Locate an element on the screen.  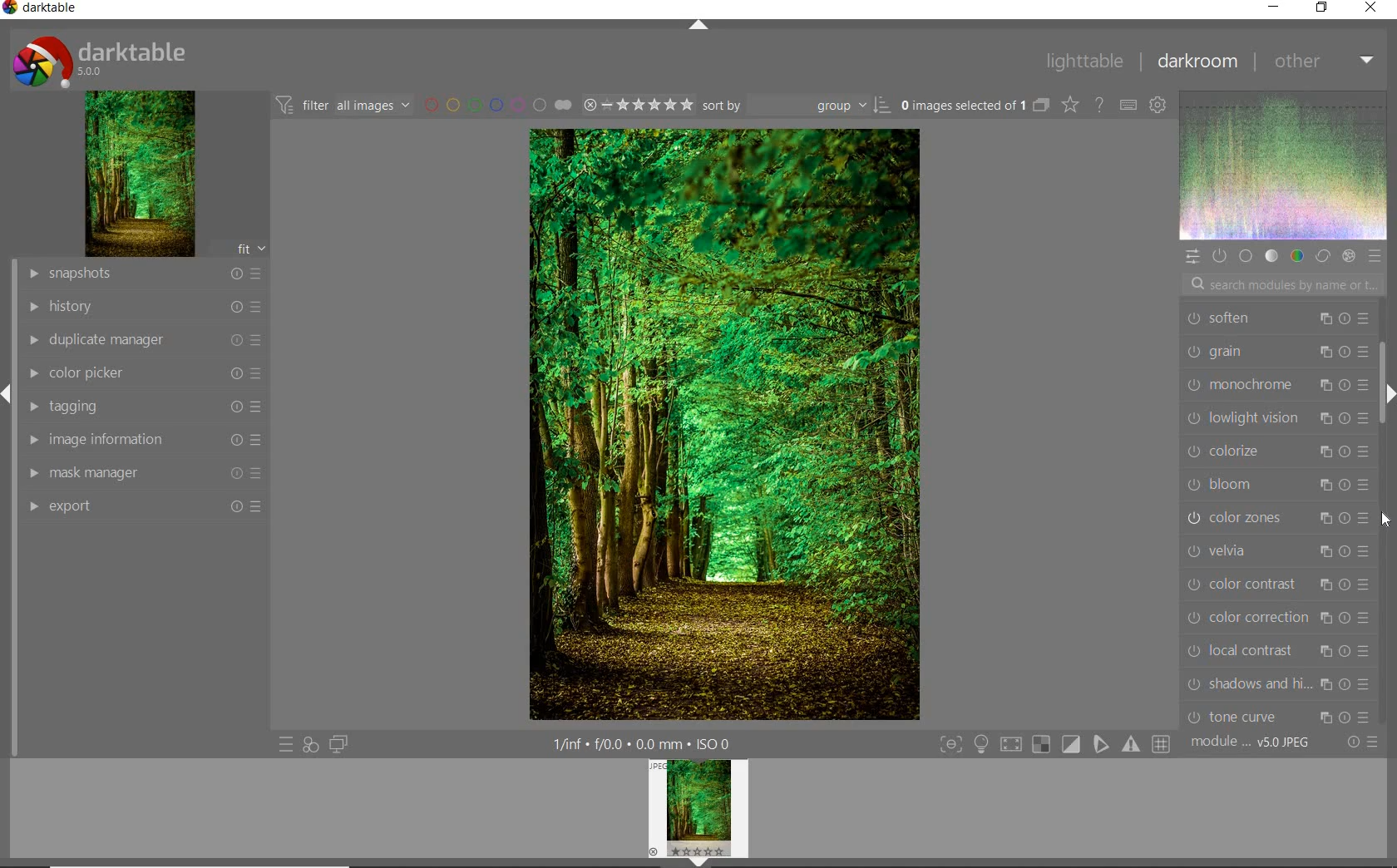
soften is located at coordinates (1276, 318).